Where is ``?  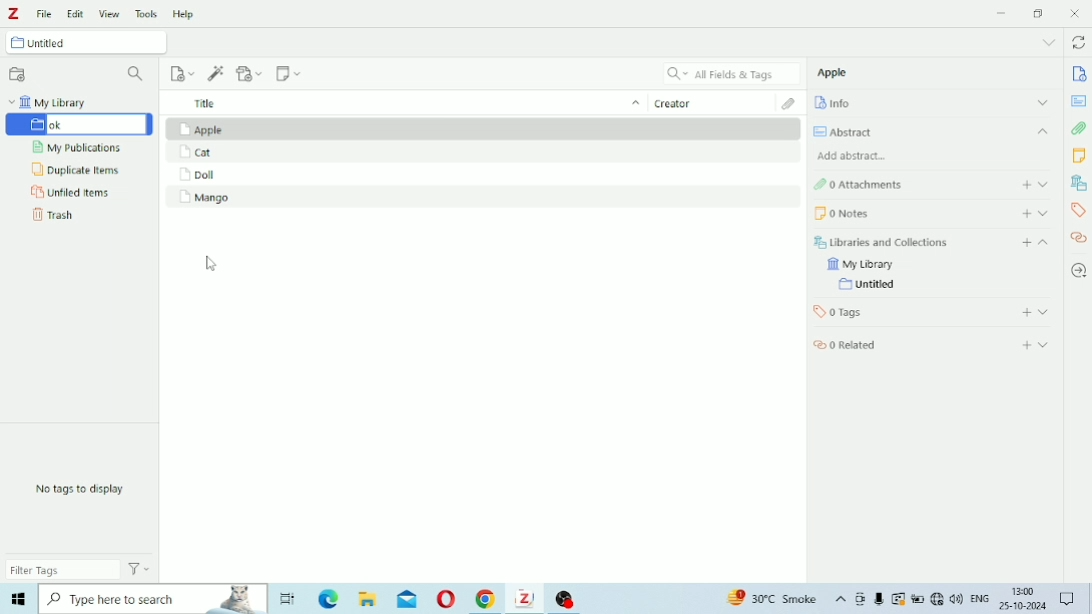  is located at coordinates (367, 598).